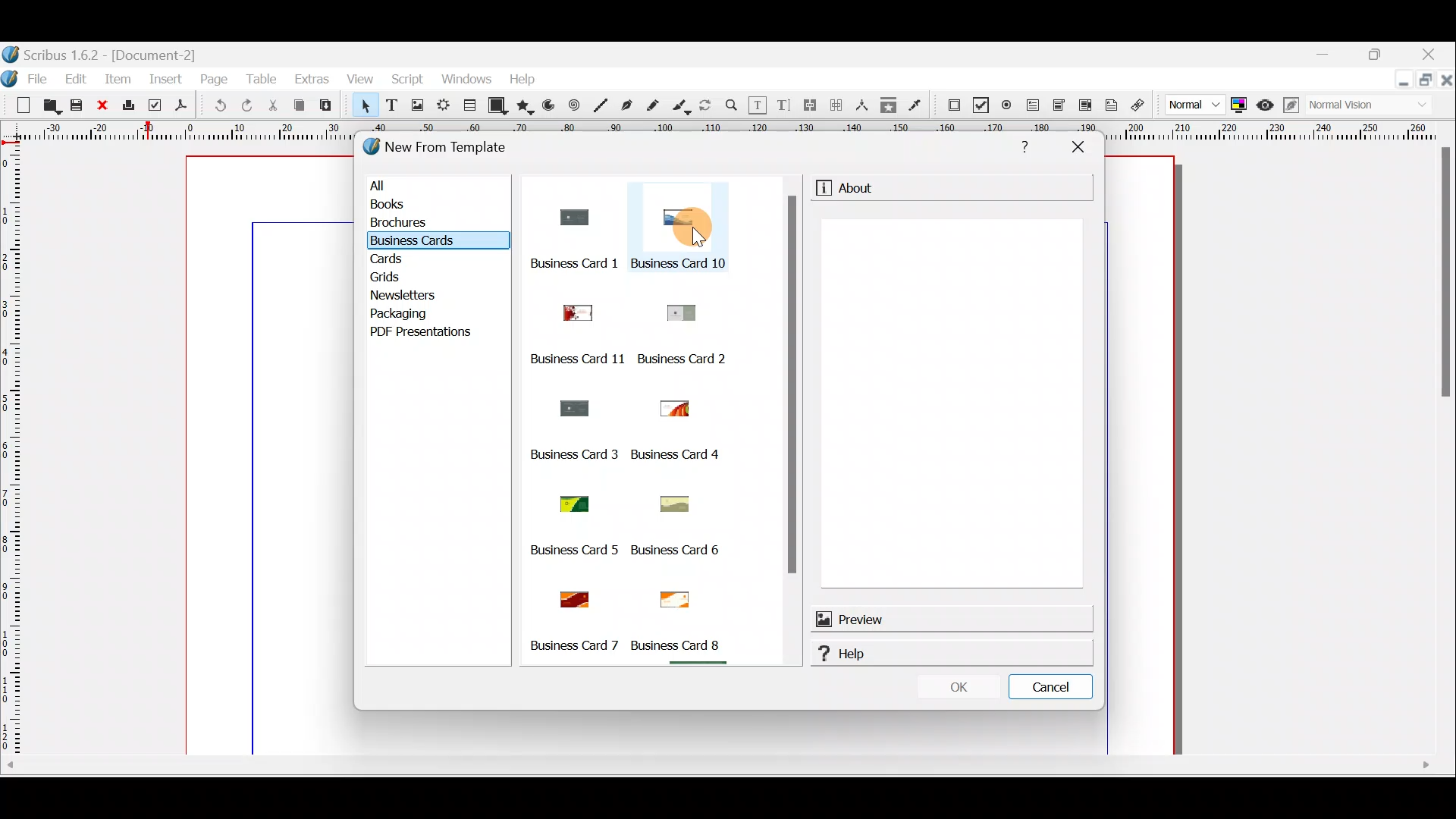 This screenshot has height=819, width=1456. What do you see at coordinates (554, 263) in the screenshot?
I see `Business Card 1` at bounding box center [554, 263].